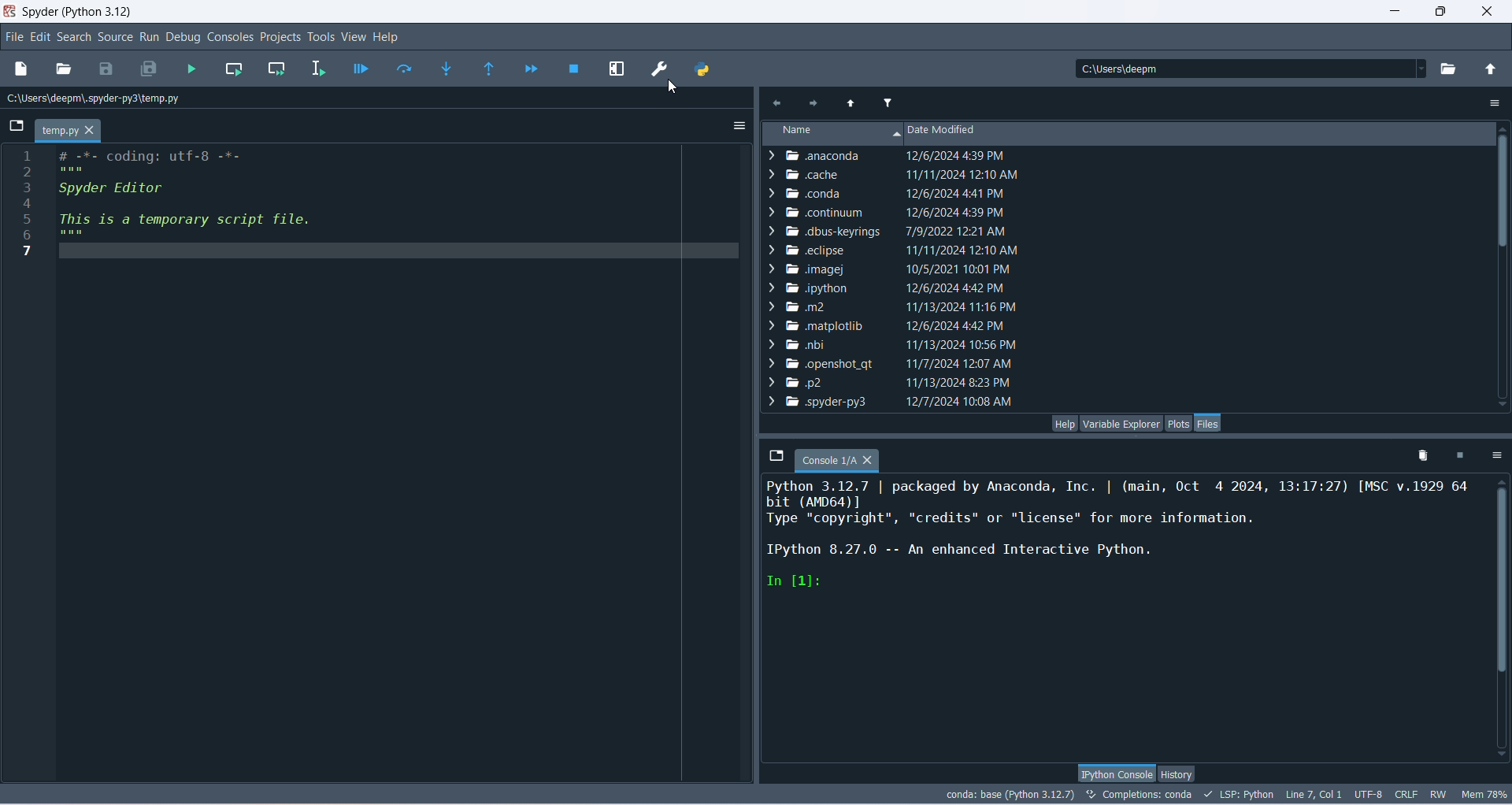  Describe the element at coordinates (661, 70) in the screenshot. I see `preferences` at that location.